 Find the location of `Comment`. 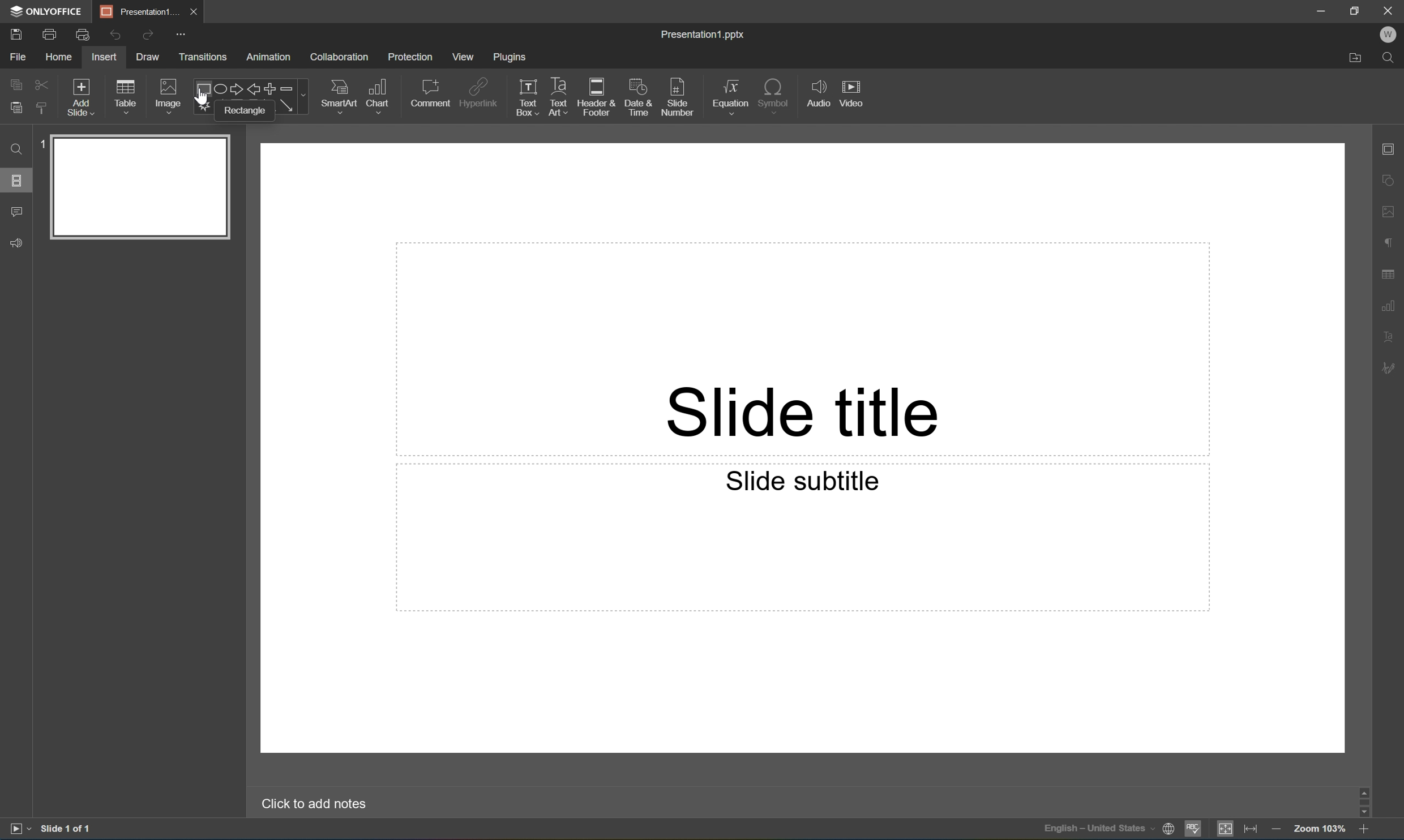

Comment is located at coordinates (18, 213).